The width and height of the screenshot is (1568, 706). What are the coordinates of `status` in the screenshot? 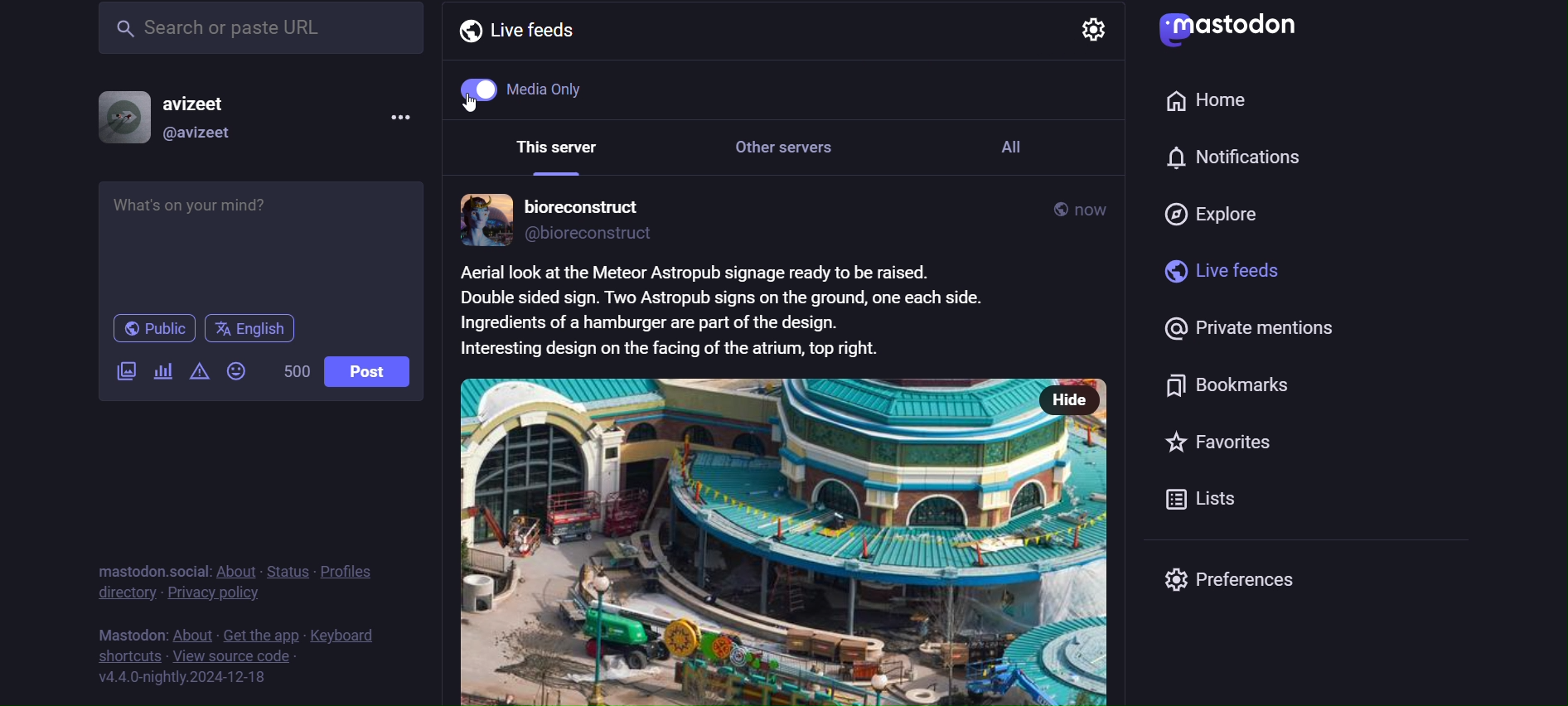 It's located at (283, 563).